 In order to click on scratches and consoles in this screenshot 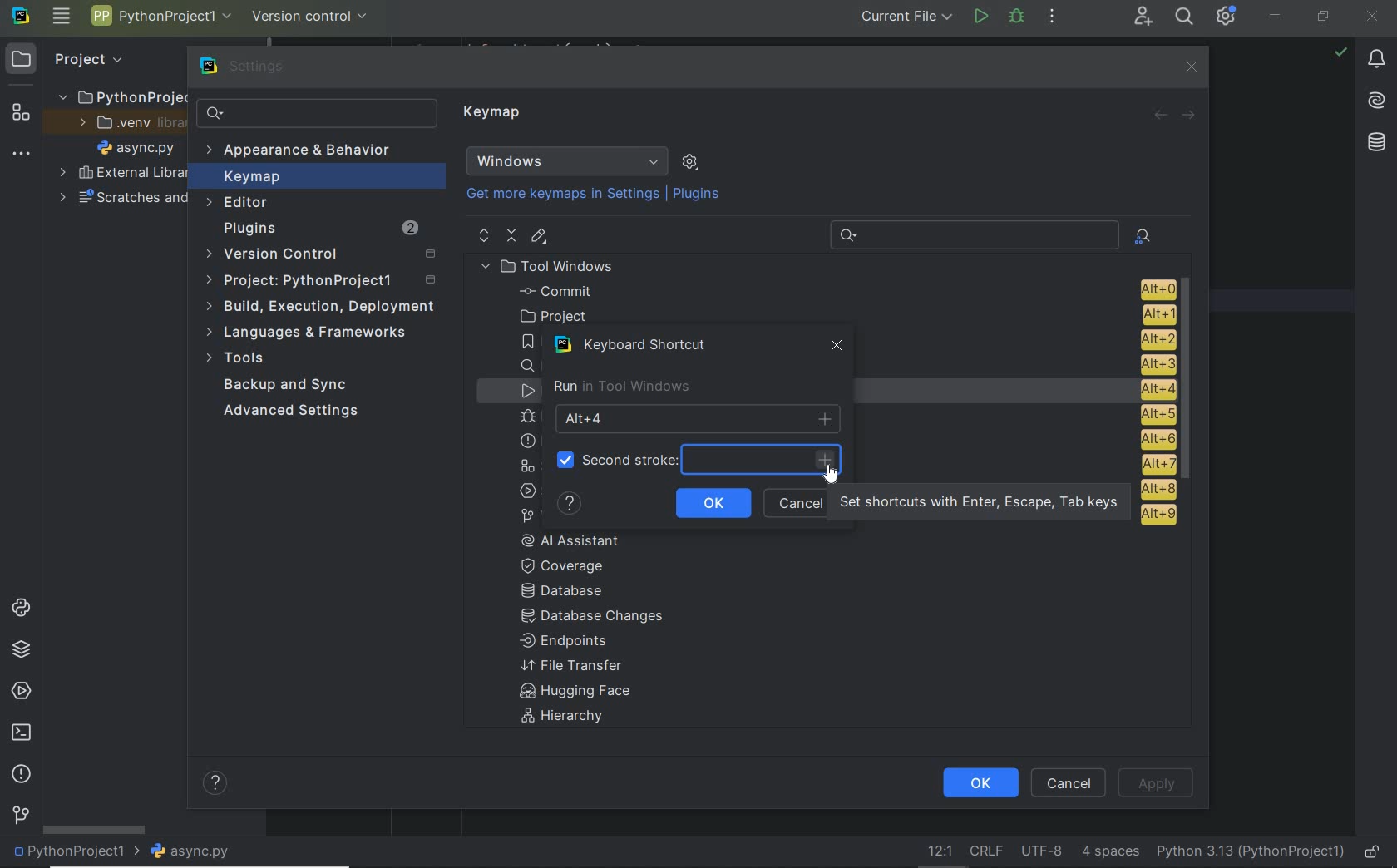, I will do `click(122, 199)`.